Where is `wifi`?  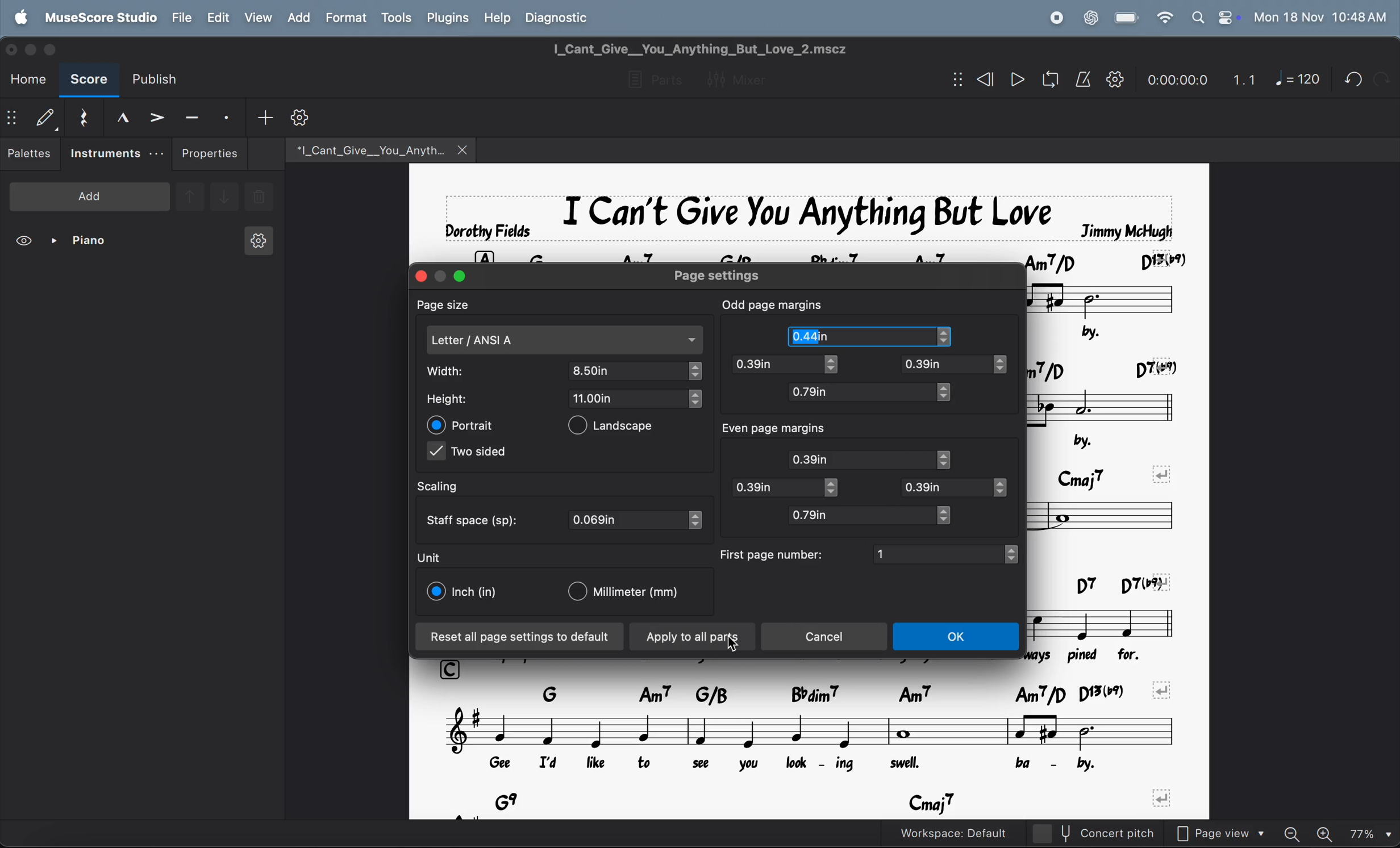
wifi is located at coordinates (1163, 18).